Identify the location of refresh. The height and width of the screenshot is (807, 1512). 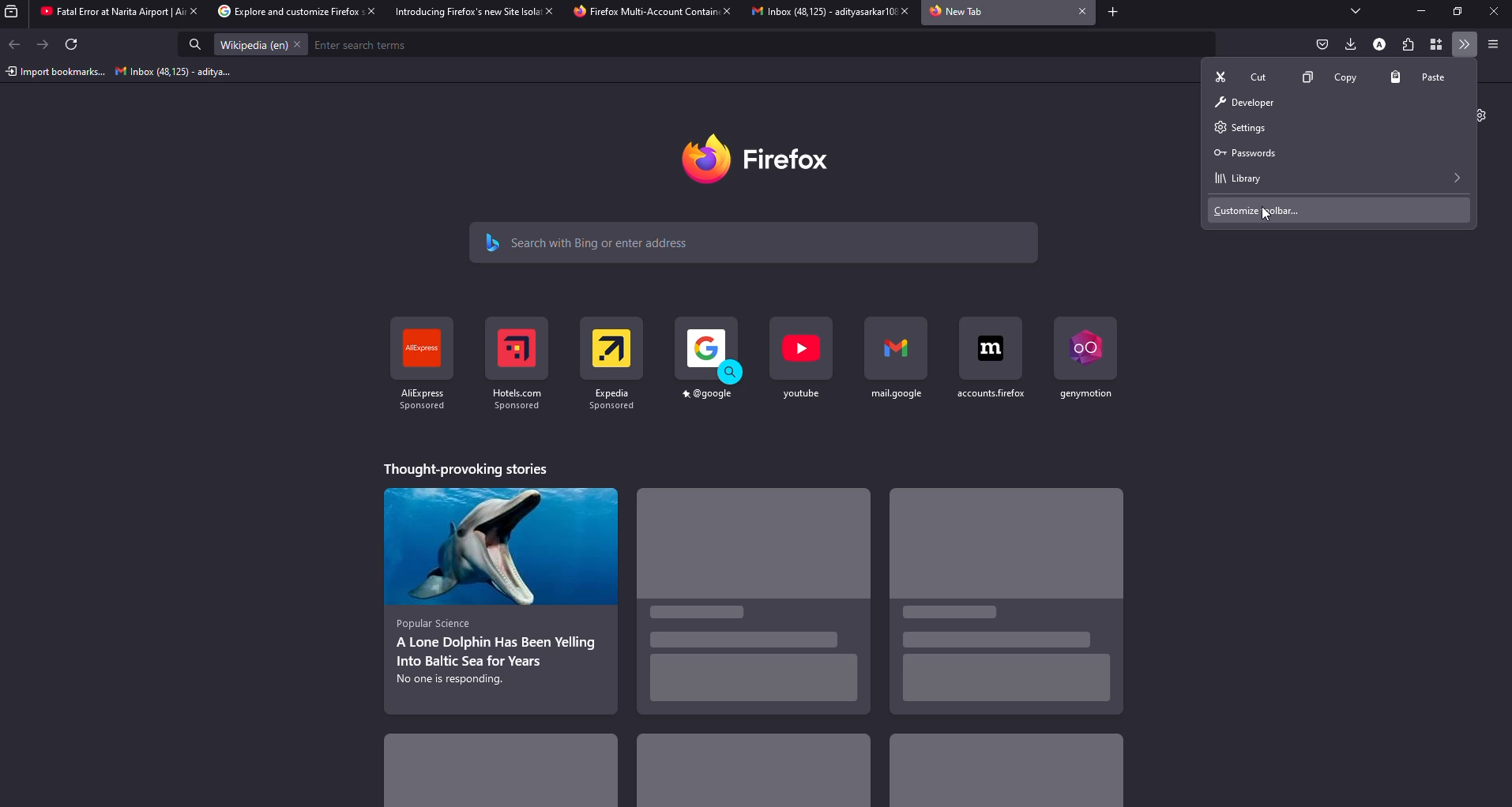
(73, 46).